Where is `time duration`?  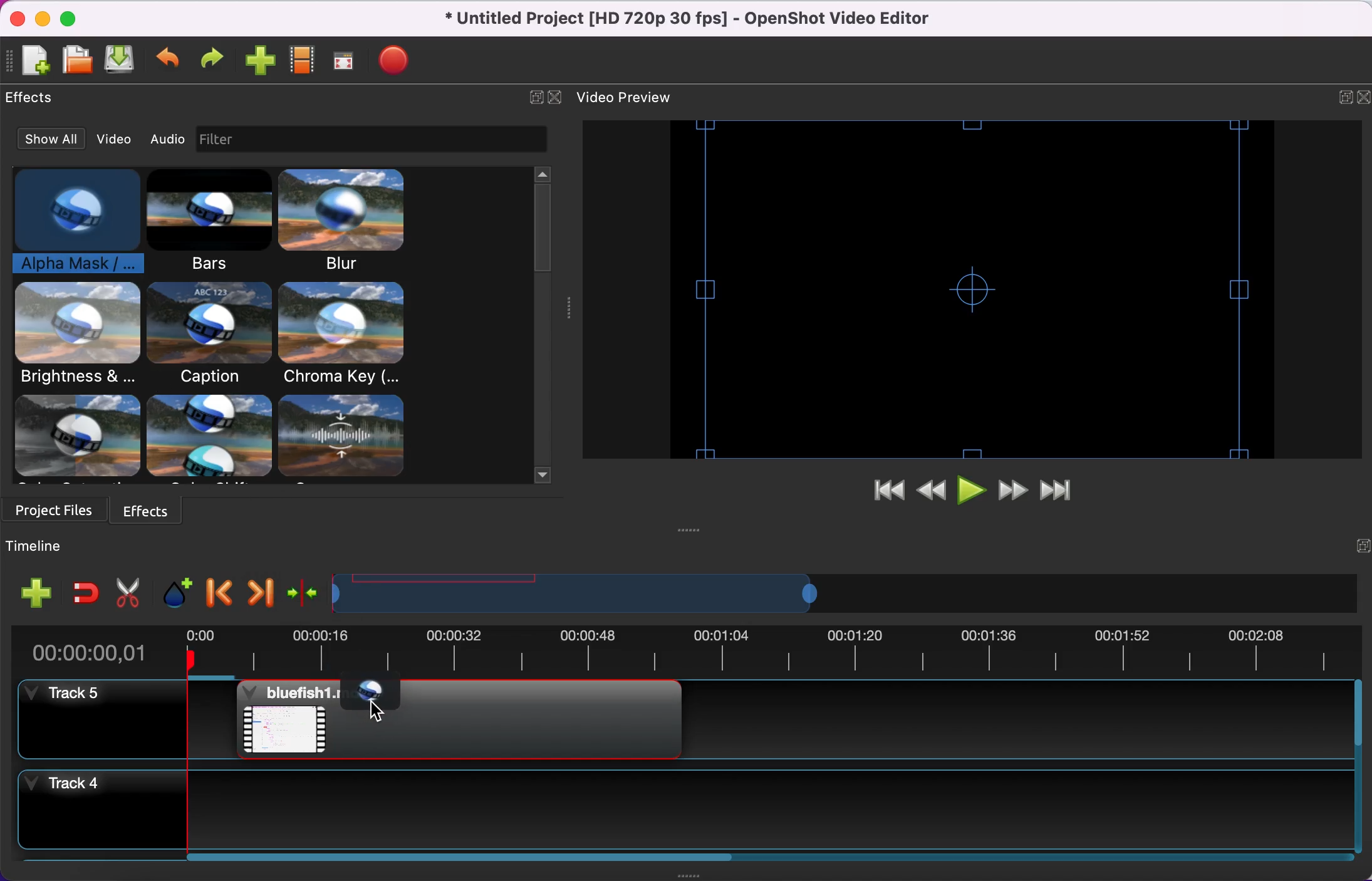
time duration is located at coordinates (681, 653).